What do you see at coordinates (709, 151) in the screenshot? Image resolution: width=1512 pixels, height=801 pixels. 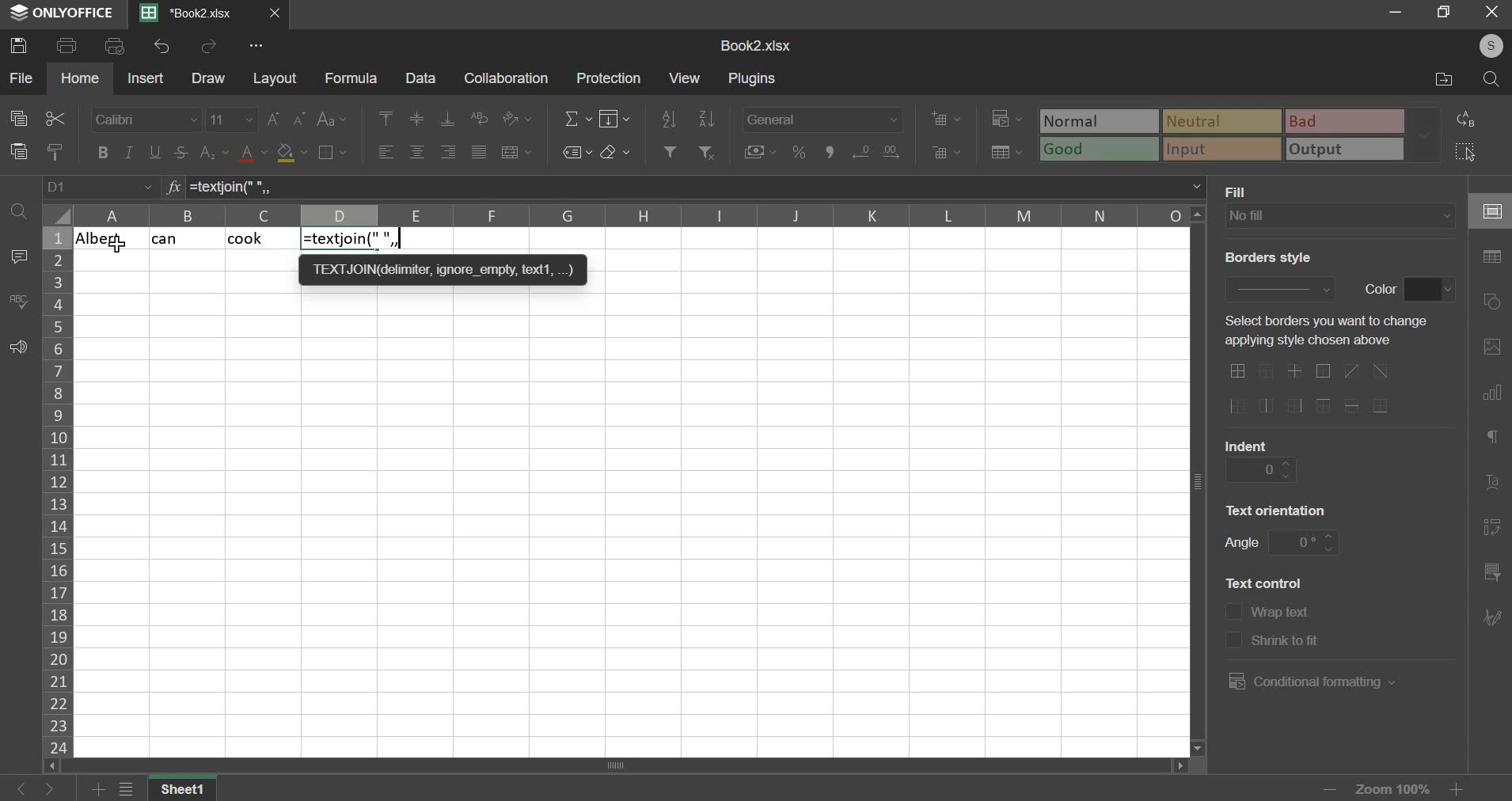 I see `remove filter` at bounding box center [709, 151].